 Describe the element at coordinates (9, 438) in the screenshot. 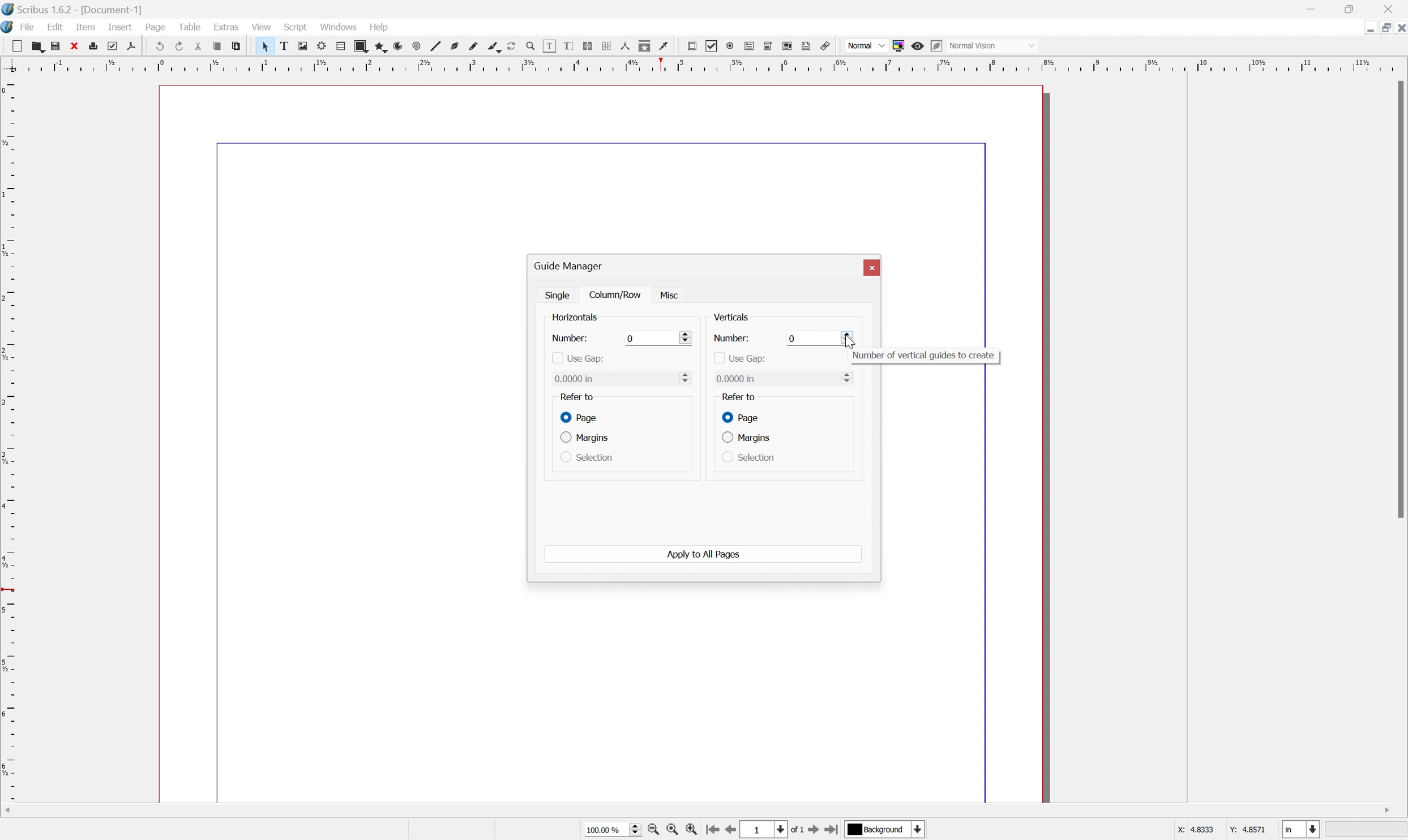

I see `ruler` at that location.